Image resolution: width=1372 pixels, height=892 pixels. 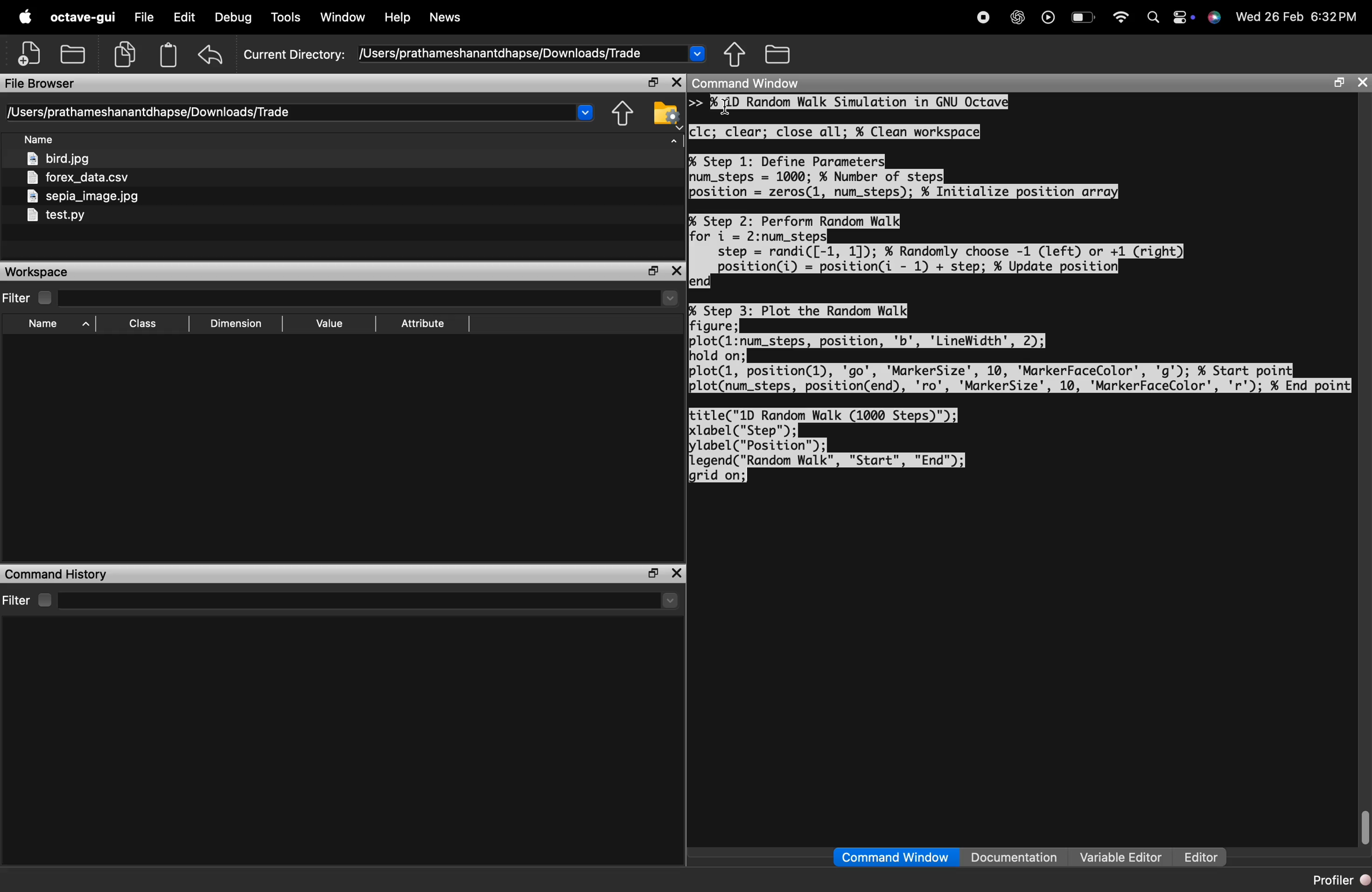 I want to click on command window, so click(x=753, y=84).